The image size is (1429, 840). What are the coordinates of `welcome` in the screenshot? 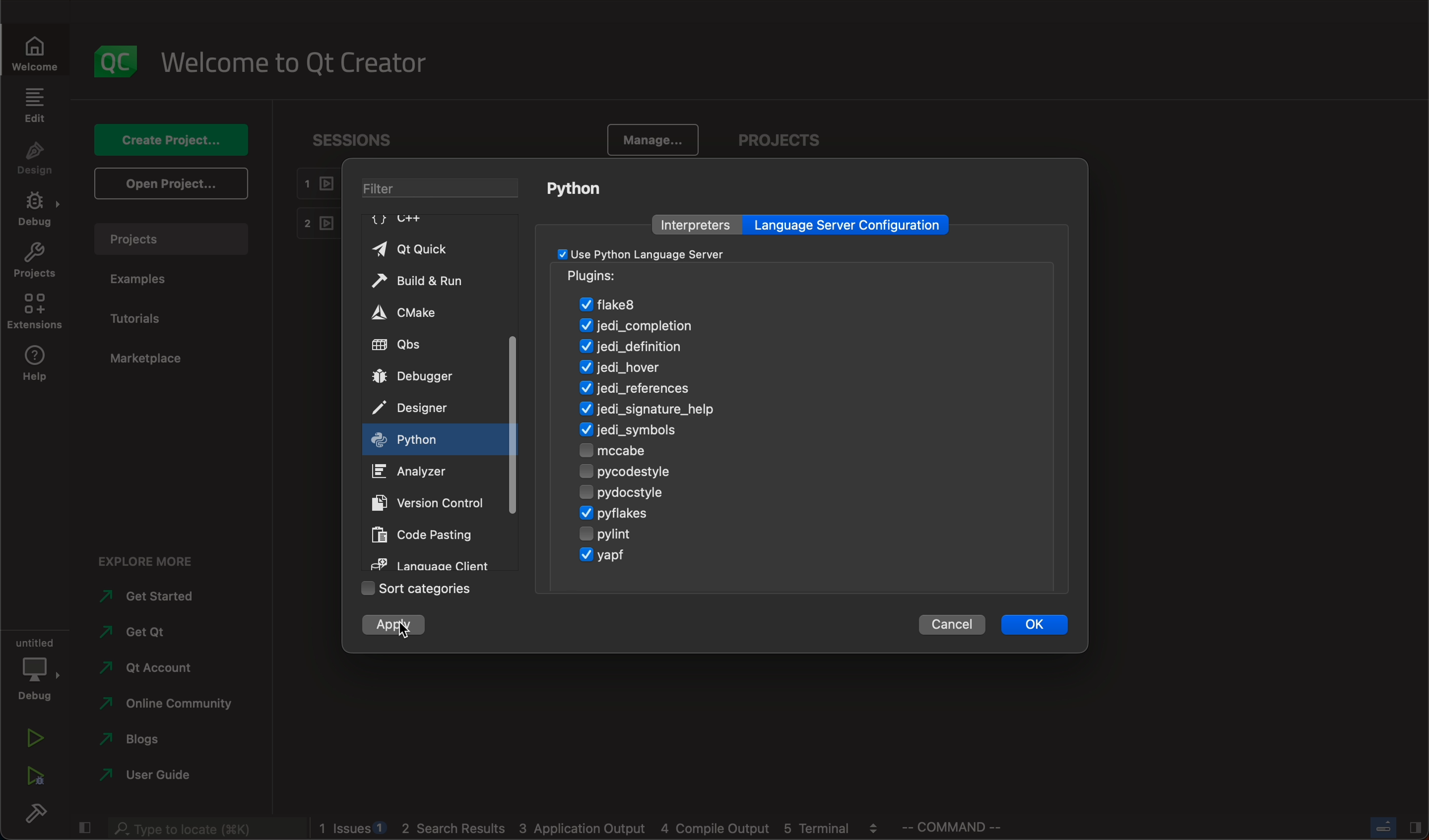 It's located at (298, 62).